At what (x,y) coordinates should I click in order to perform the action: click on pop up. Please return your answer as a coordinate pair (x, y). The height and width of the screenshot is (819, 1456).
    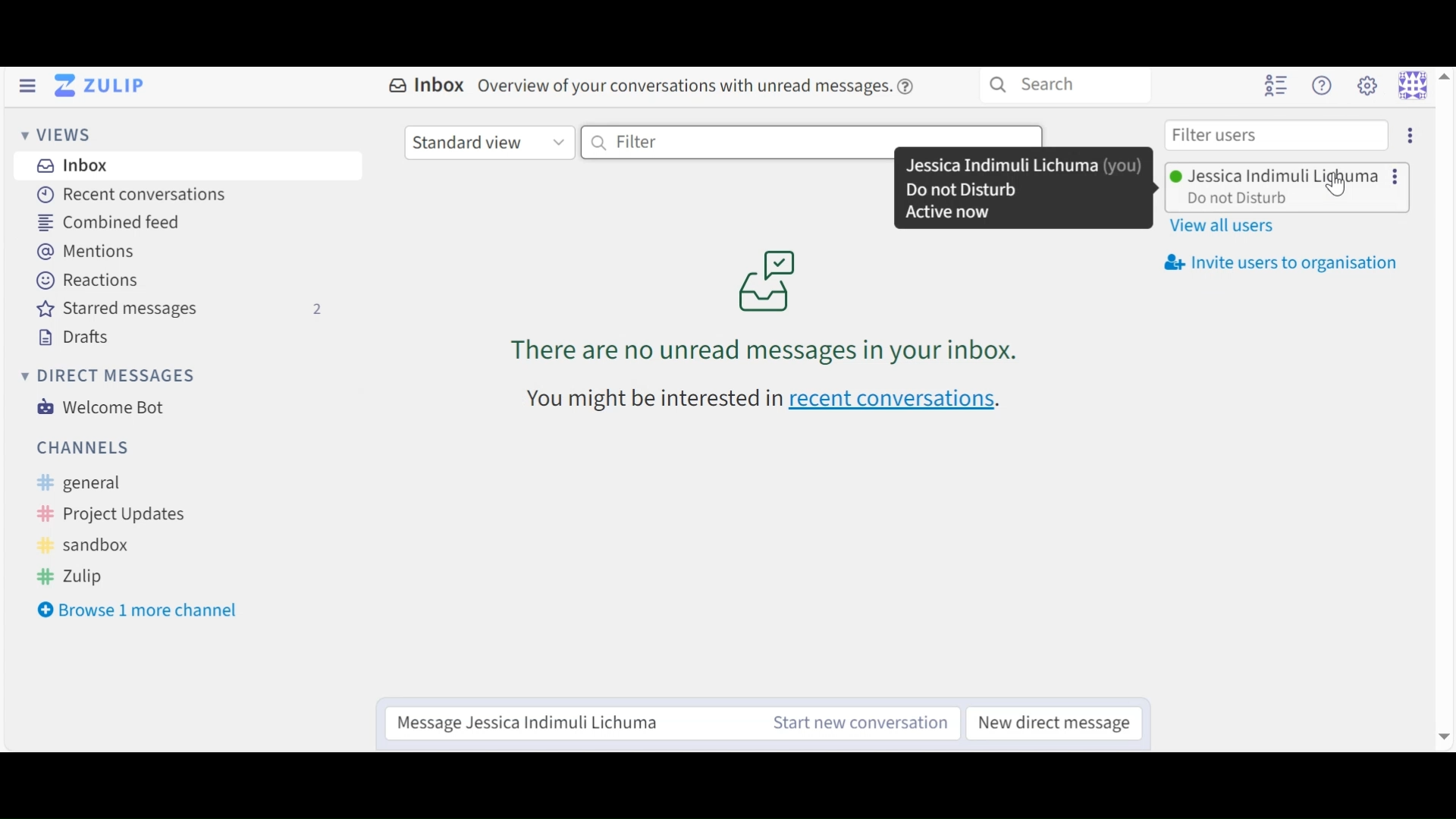
    Looking at the image, I should click on (1028, 191).